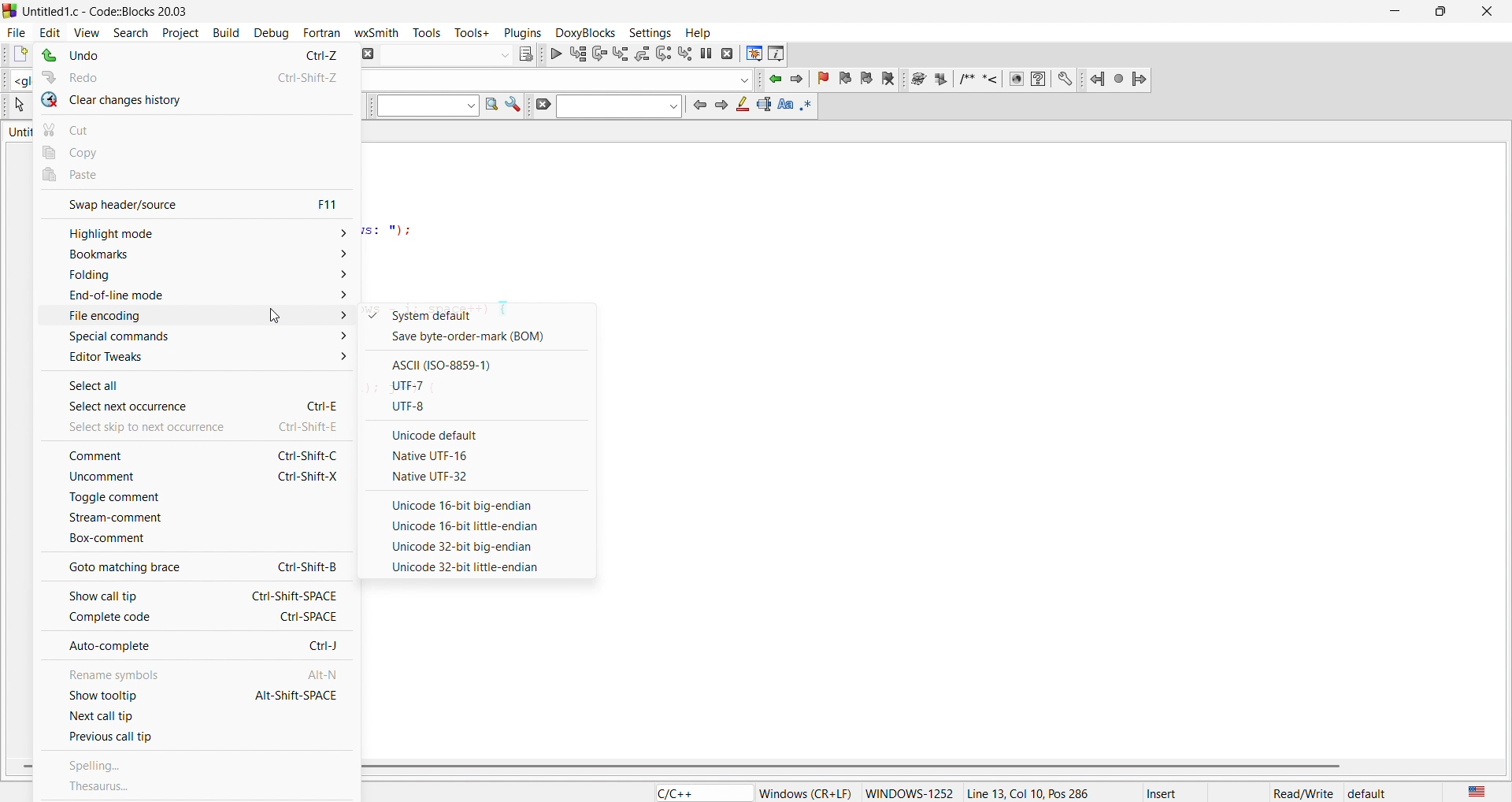  What do you see at coordinates (192, 567) in the screenshot?
I see `goto matching brace` at bounding box center [192, 567].